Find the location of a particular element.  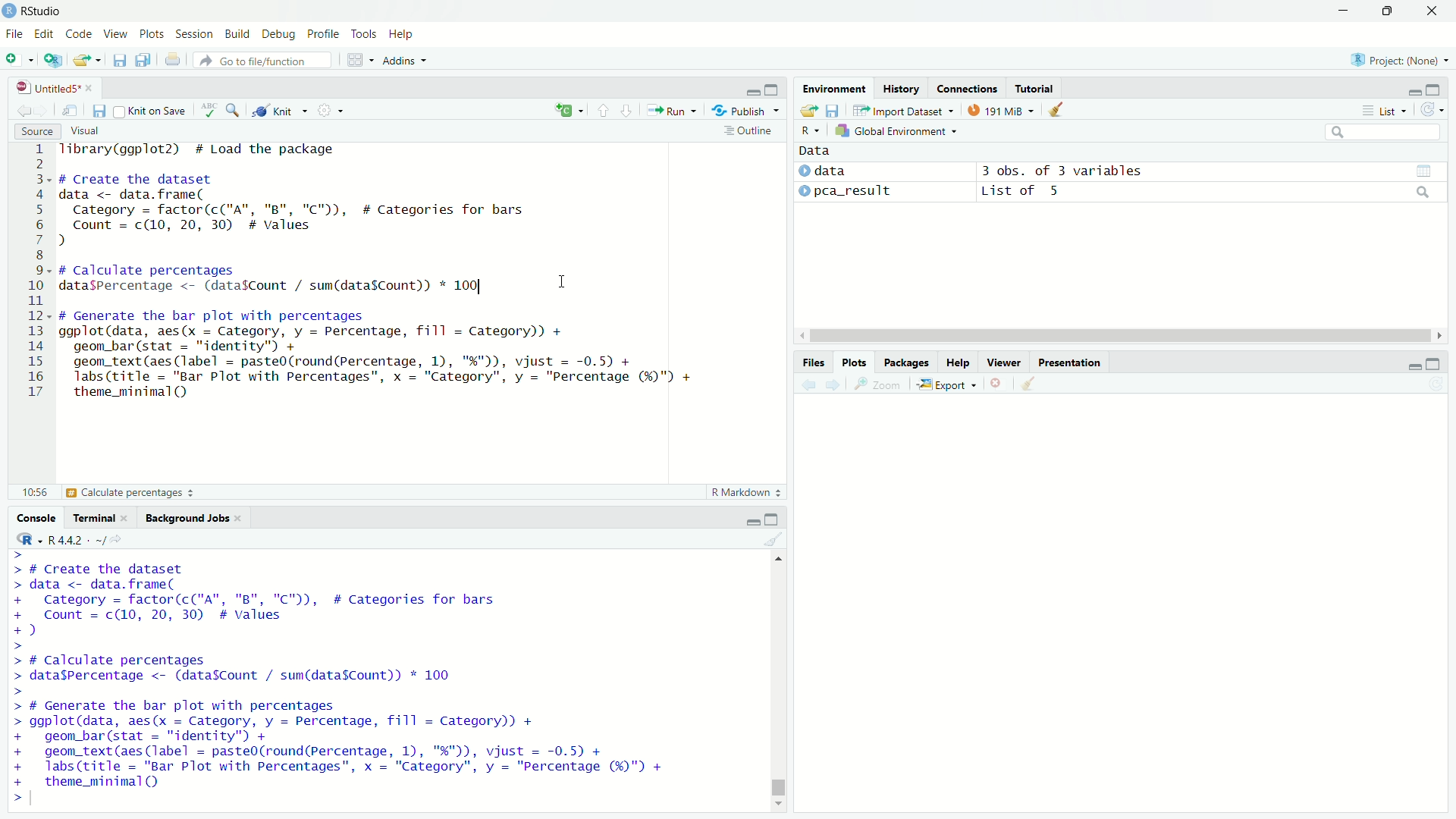

console is located at coordinates (35, 517).